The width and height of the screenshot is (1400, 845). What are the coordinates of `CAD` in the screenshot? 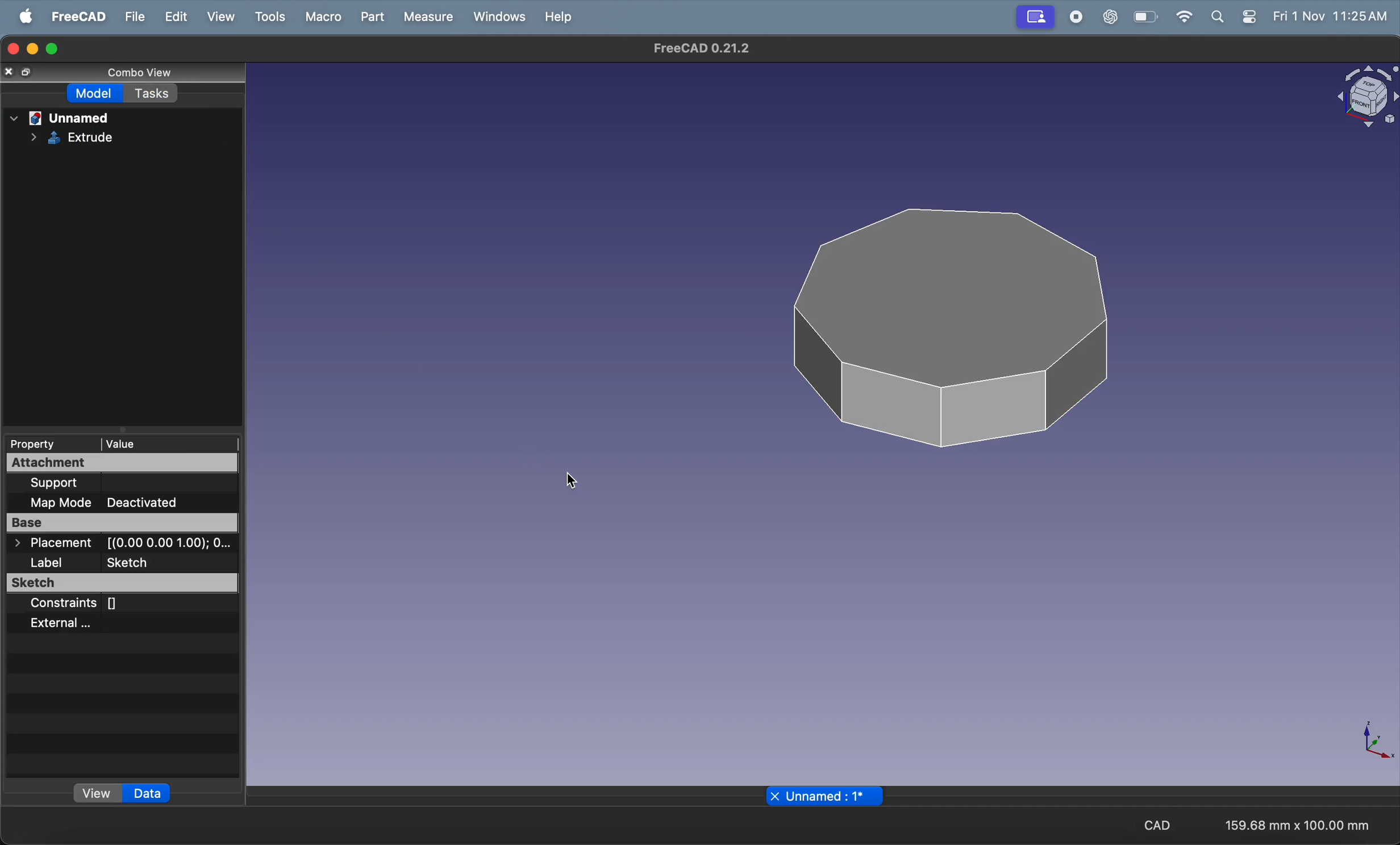 It's located at (1164, 825).